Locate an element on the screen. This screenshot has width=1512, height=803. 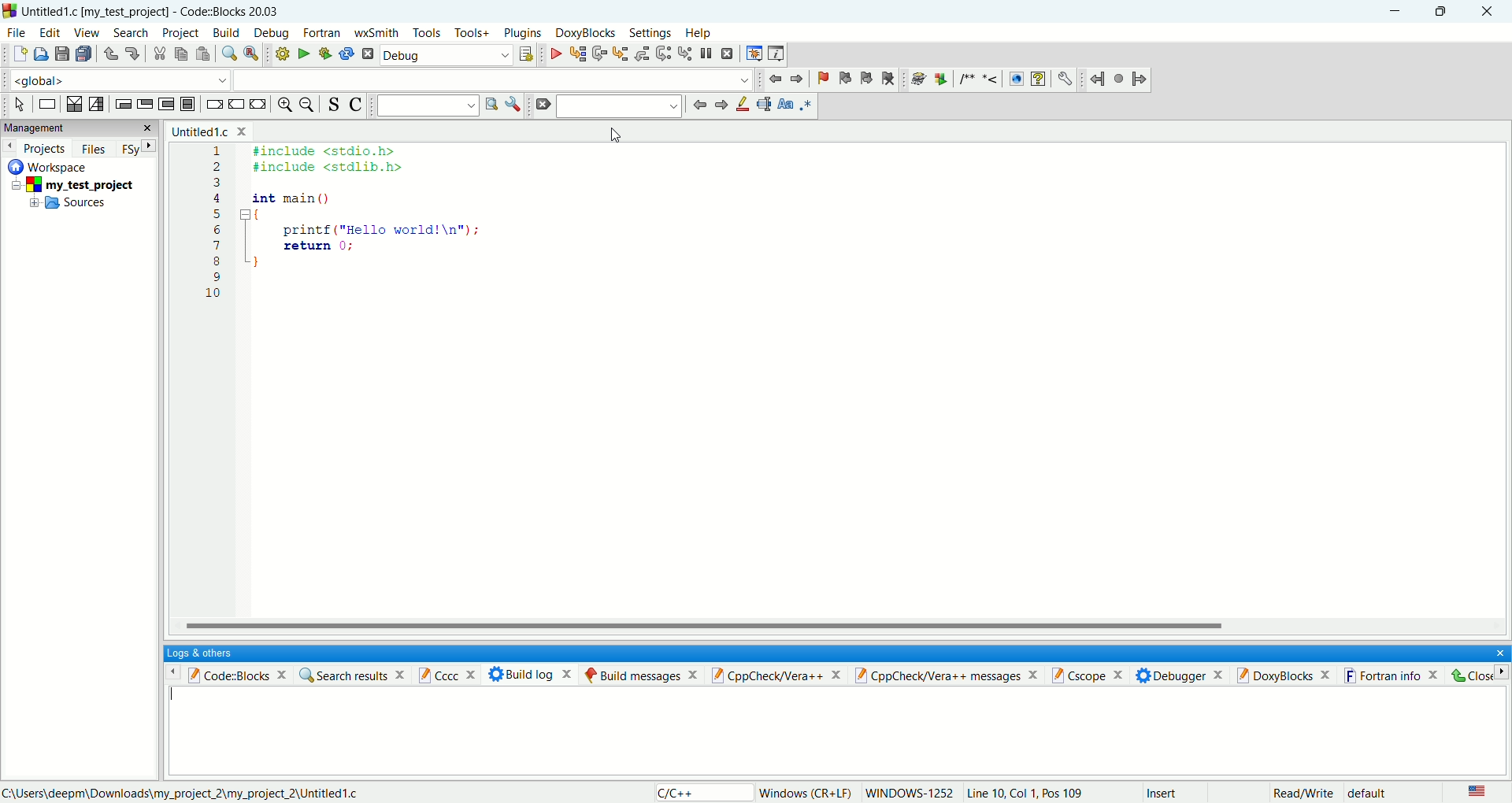
options window is located at coordinates (513, 105).